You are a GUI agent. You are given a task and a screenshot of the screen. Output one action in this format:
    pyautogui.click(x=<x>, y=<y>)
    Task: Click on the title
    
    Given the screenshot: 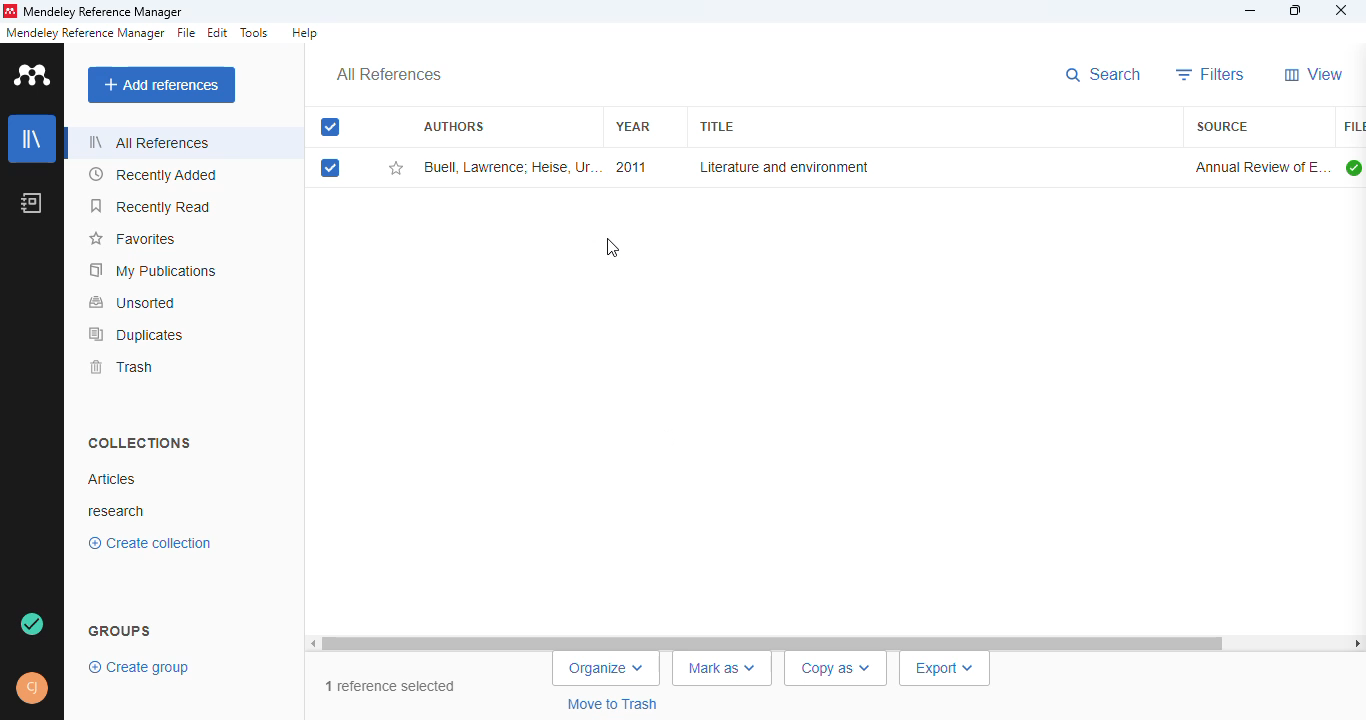 What is the action you would take?
    pyautogui.click(x=715, y=127)
    